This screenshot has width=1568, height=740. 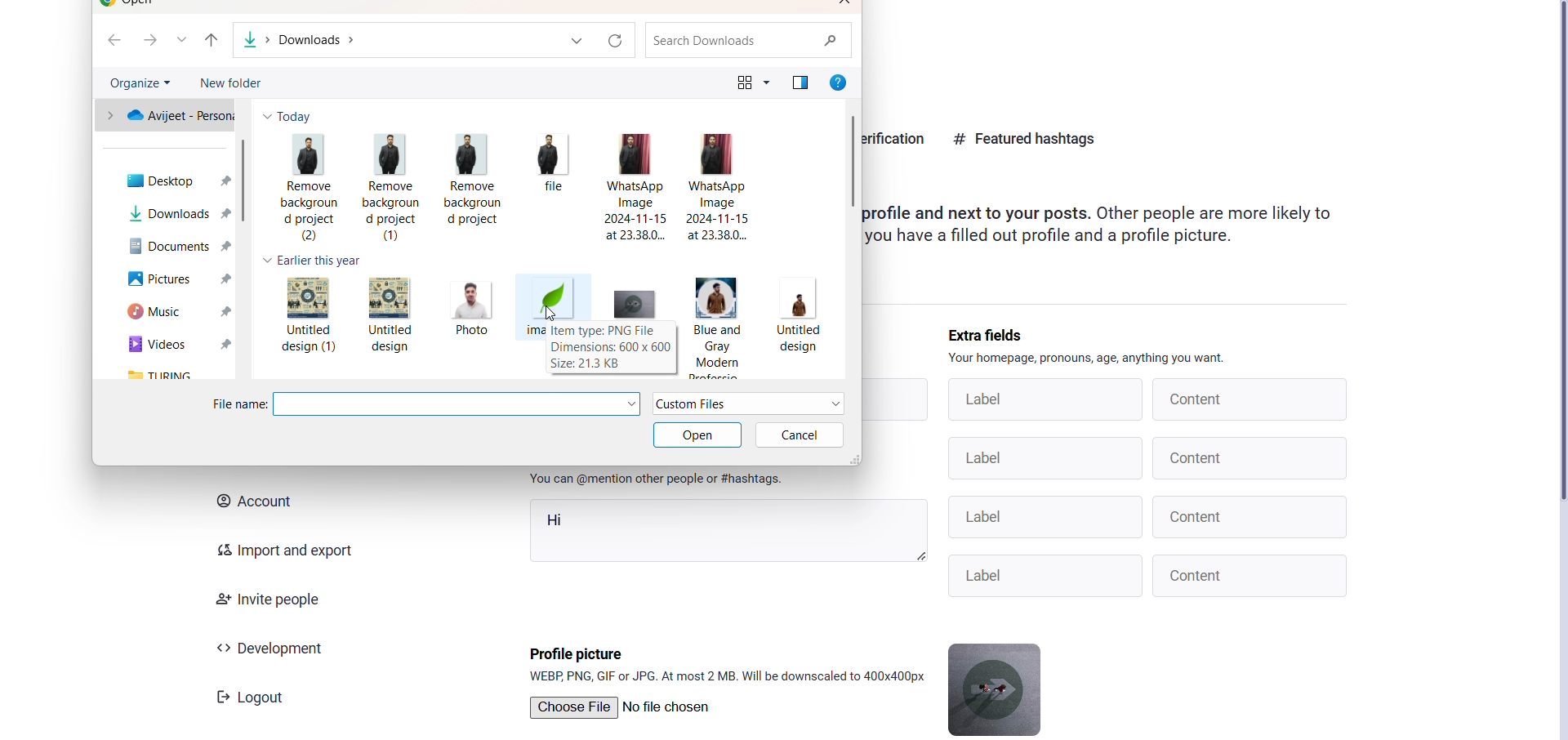 What do you see at coordinates (254, 698) in the screenshot?
I see `Logout` at bounding box center [254, 698].